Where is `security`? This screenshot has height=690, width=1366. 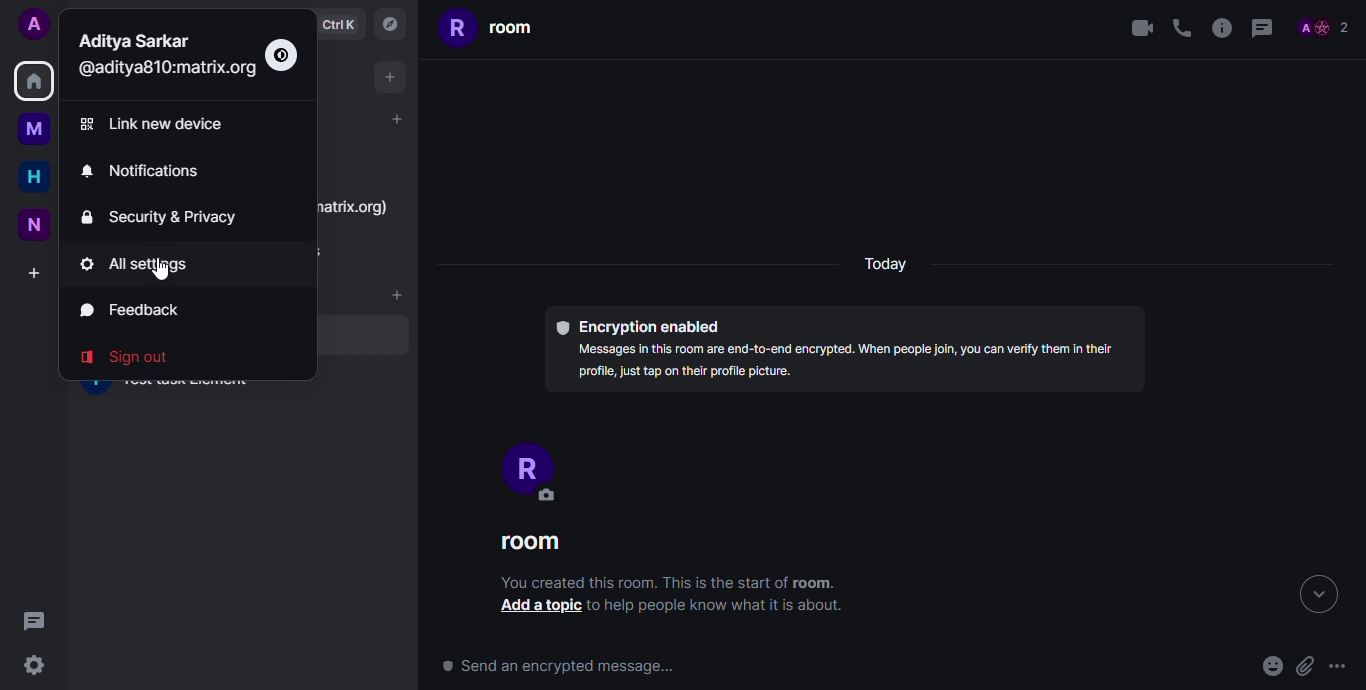
security is located at coordinates (167, 217).